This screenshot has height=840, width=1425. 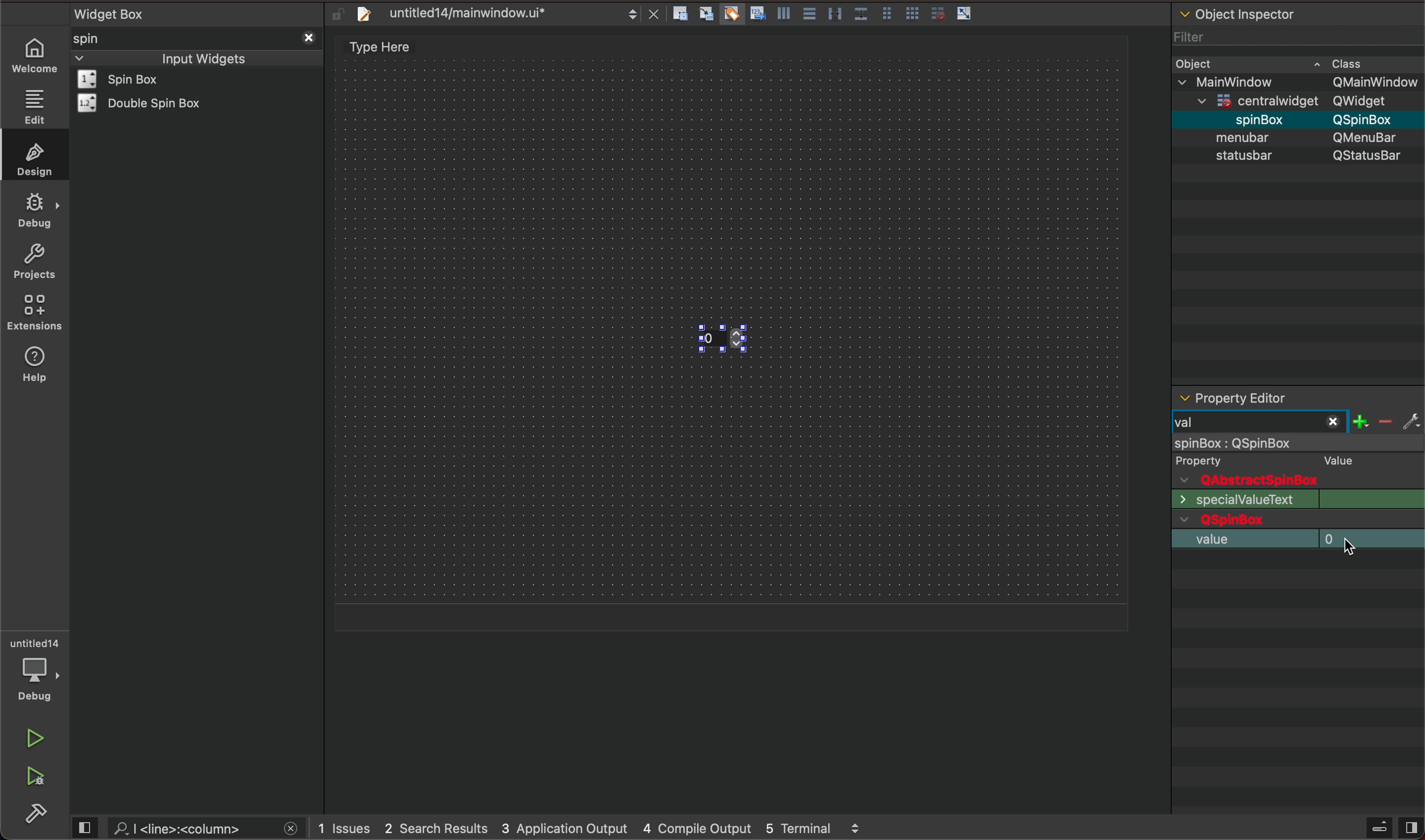 What do you see at coordinates (1369, 157) in the screenshot?
I see `text` at bounding box center [1369, 157].